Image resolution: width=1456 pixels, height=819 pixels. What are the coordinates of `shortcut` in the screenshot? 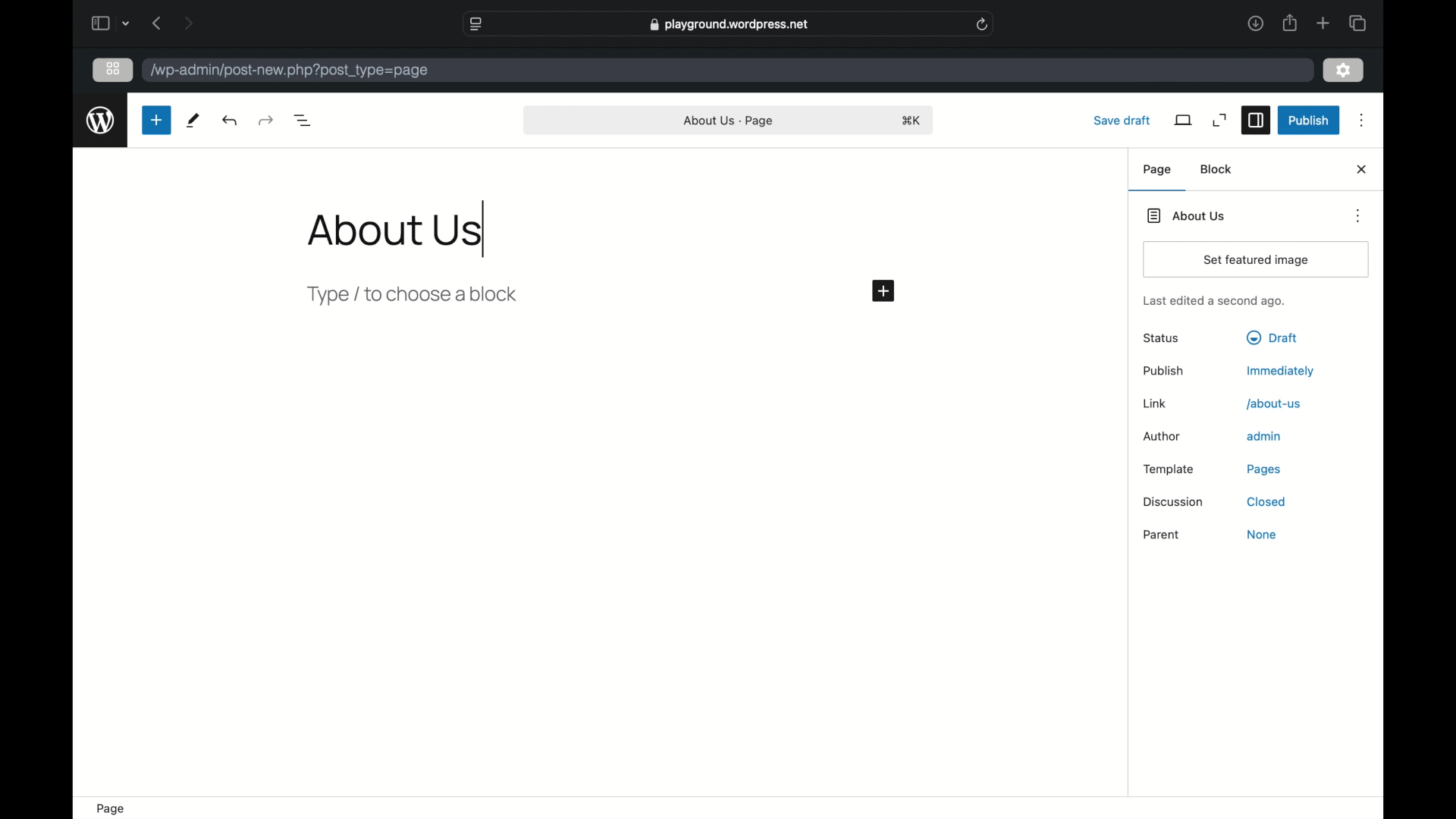 It's located at (913, 121).